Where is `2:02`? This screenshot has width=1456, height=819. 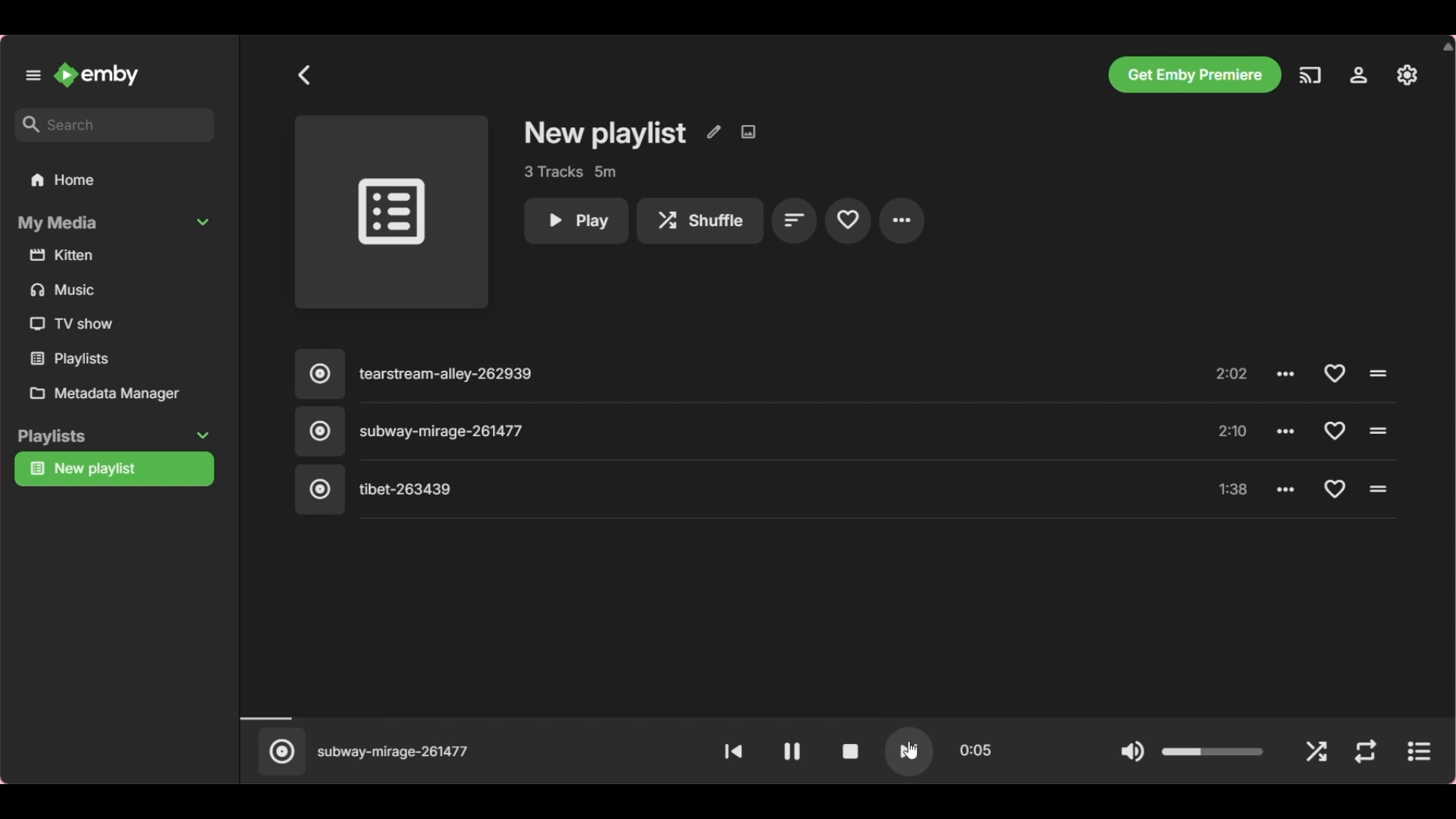
2:02 is located at coordinates (1234, 372).